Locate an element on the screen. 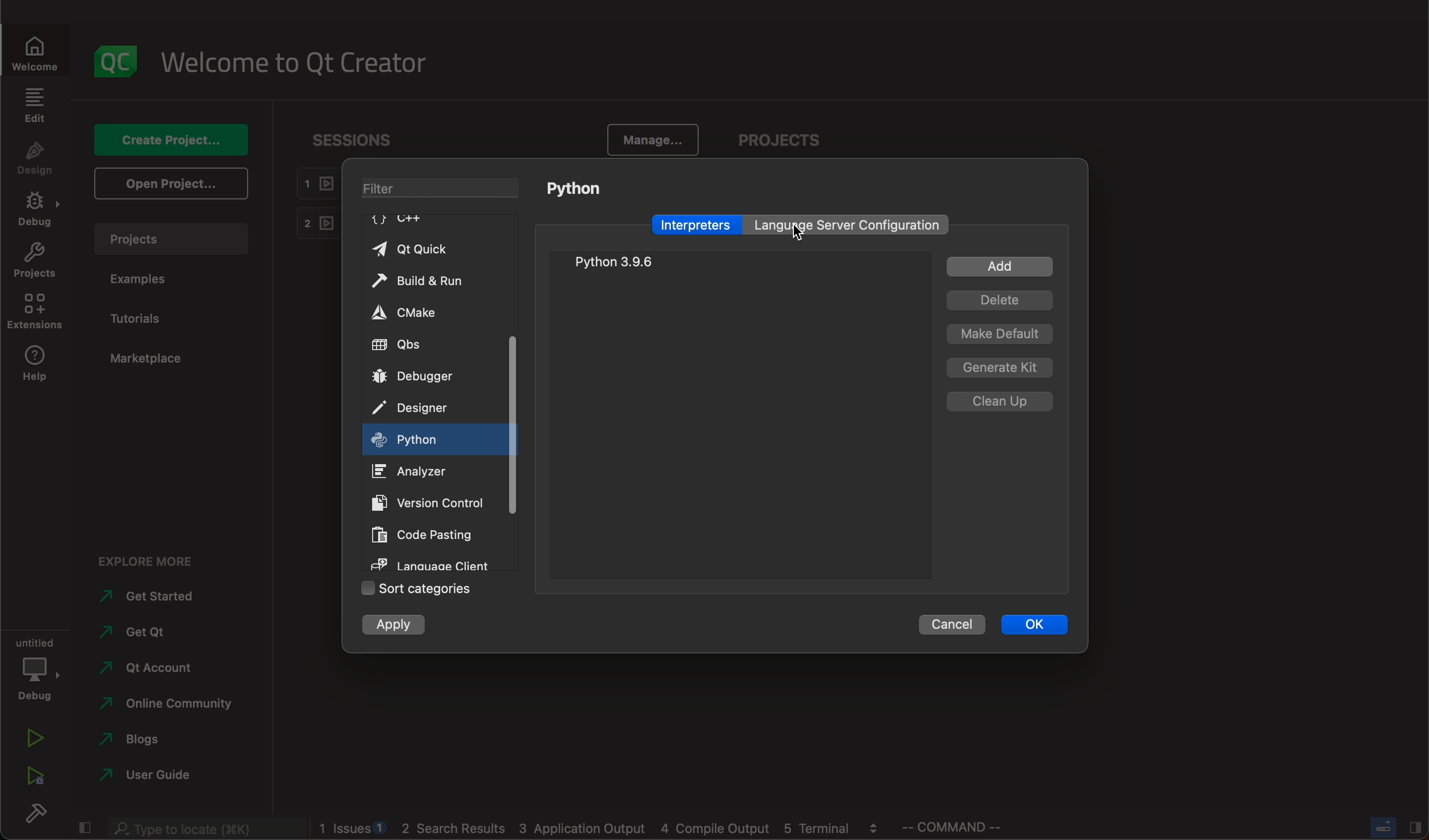  python is located at coordinates (817, 235).